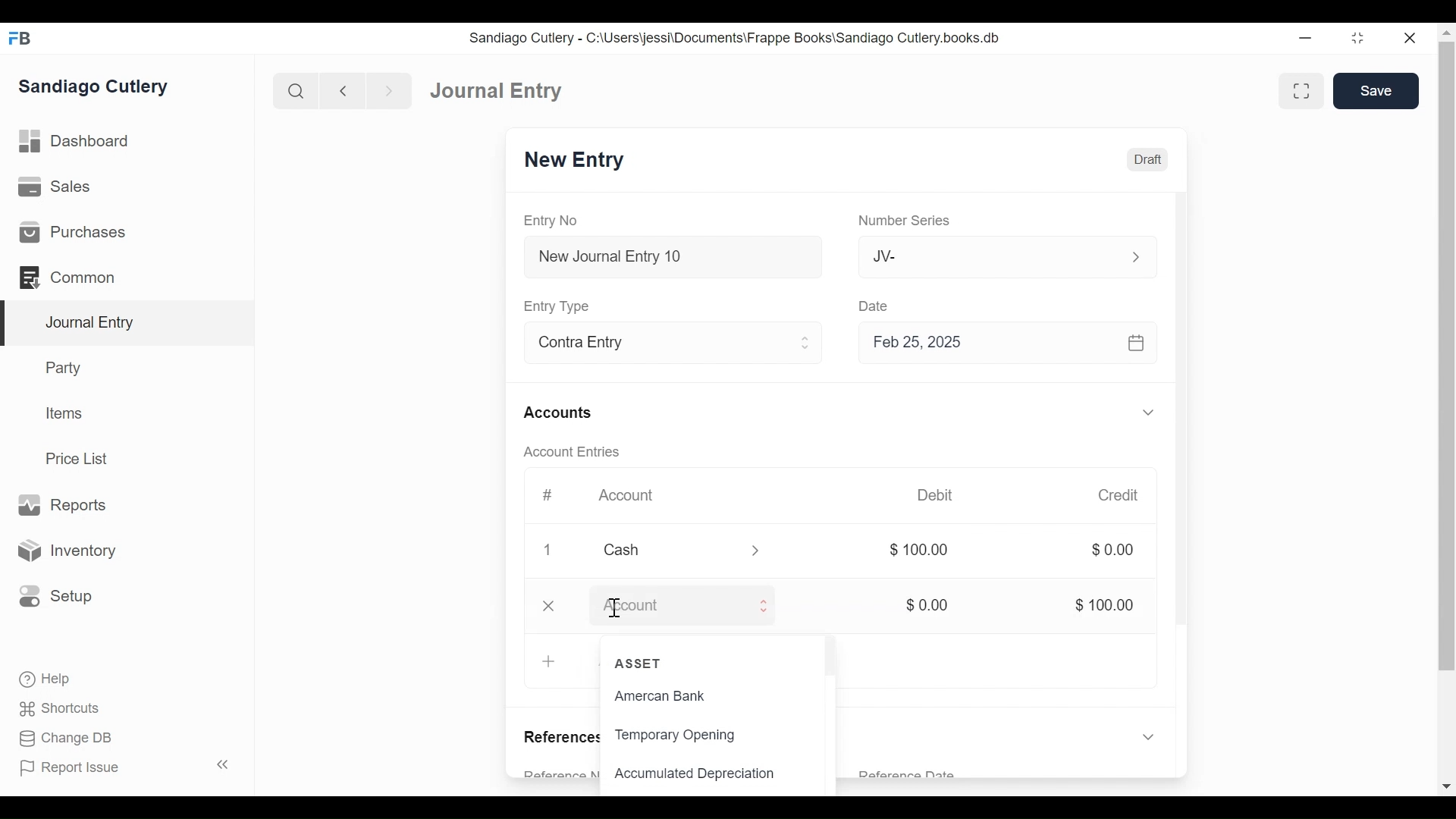 This screenshot has height=819, width=1456. What do you see at coordinates (344, 91) in the screenshot?
I see `Navigate Back` at bounding box center [344, 91].